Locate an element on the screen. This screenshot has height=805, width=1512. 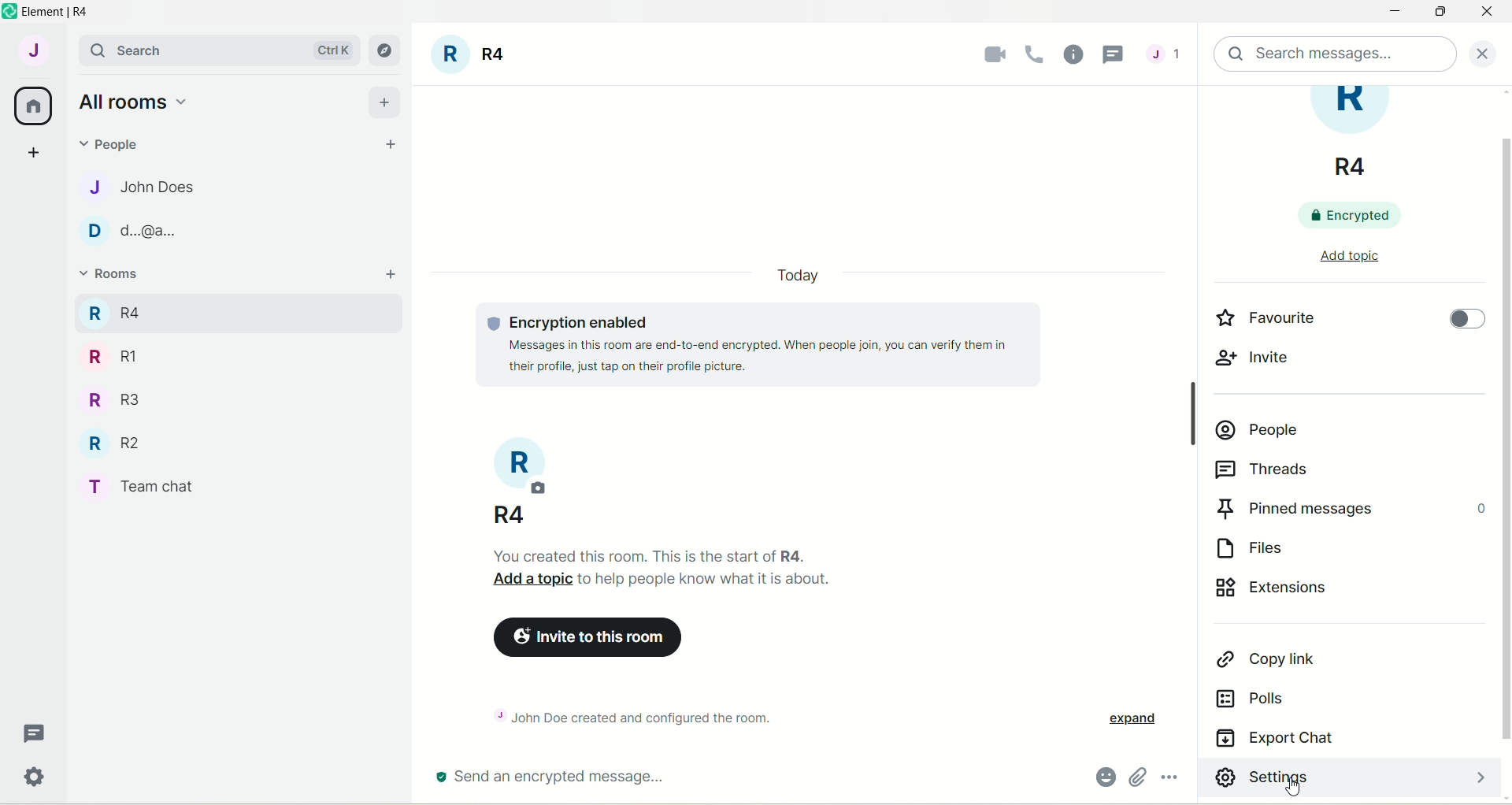
add is located at coordinates (393, 275).